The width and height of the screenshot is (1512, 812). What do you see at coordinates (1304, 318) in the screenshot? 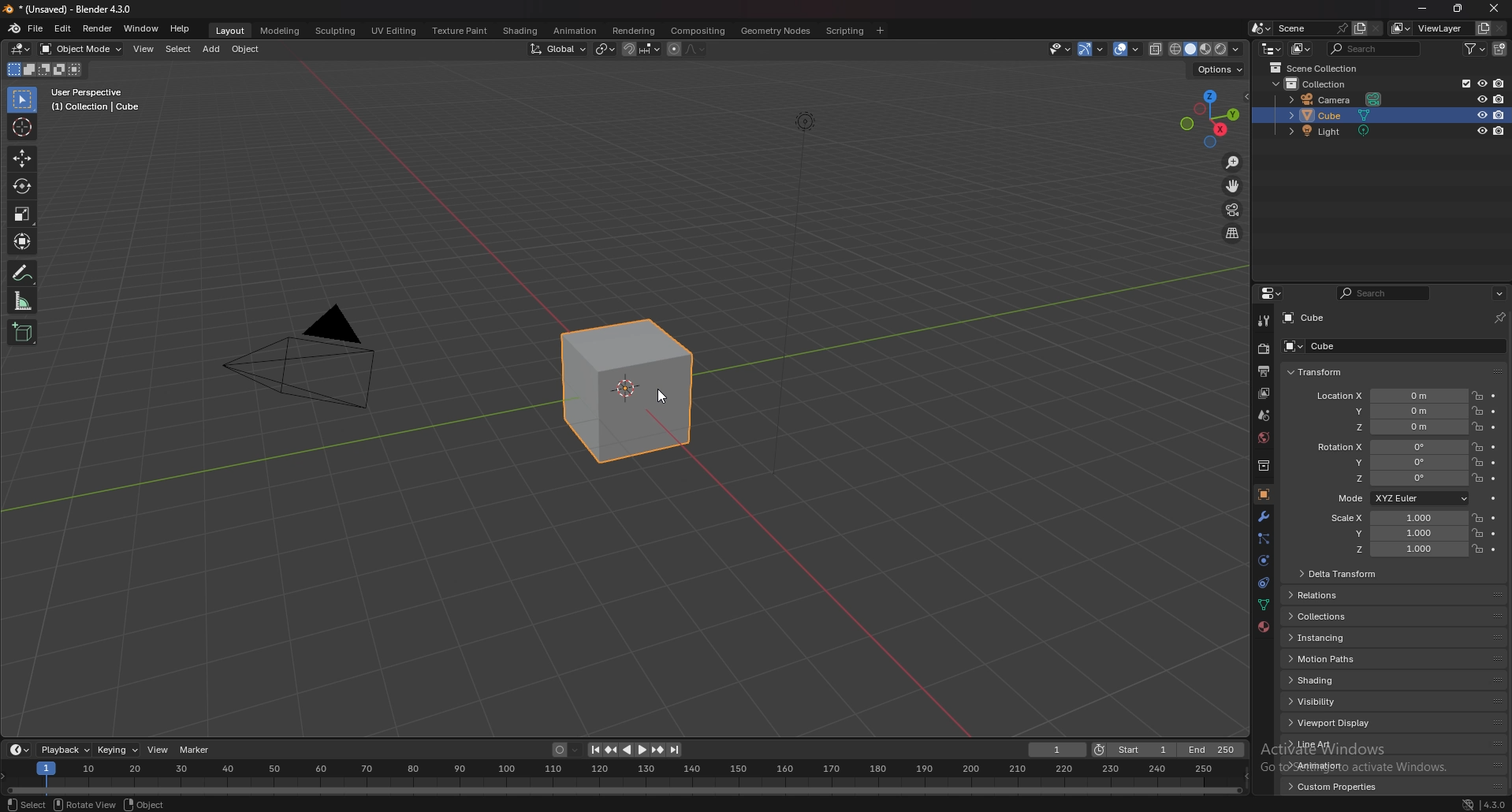
I see `cube` at bounding box center [1304, 318].